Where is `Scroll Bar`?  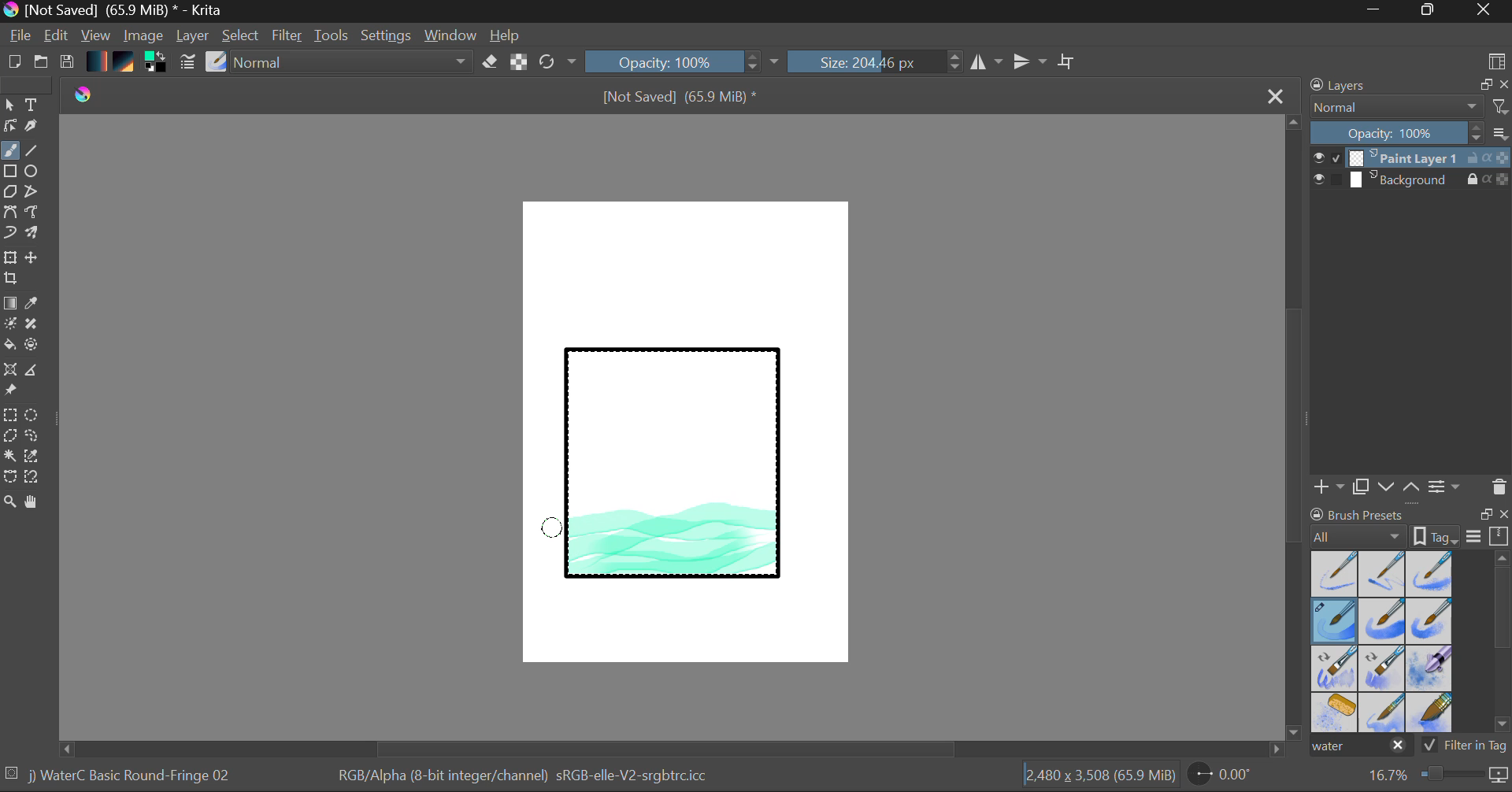
Scroll Bar is located at coordinates (1503, 645).